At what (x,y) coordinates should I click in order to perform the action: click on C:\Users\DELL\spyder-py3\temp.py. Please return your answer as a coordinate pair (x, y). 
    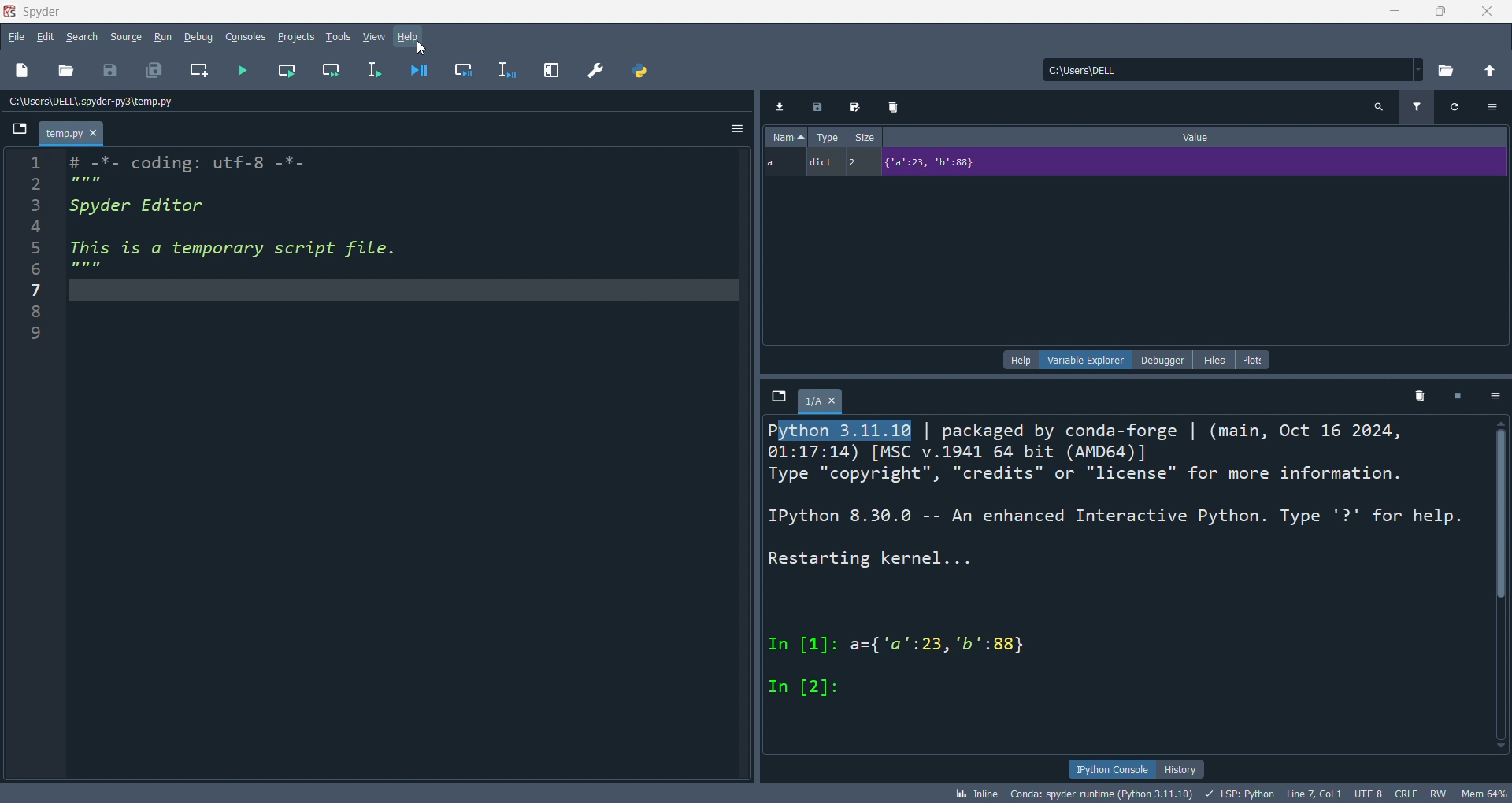
    Looking at the image, I should click on (93, 101).